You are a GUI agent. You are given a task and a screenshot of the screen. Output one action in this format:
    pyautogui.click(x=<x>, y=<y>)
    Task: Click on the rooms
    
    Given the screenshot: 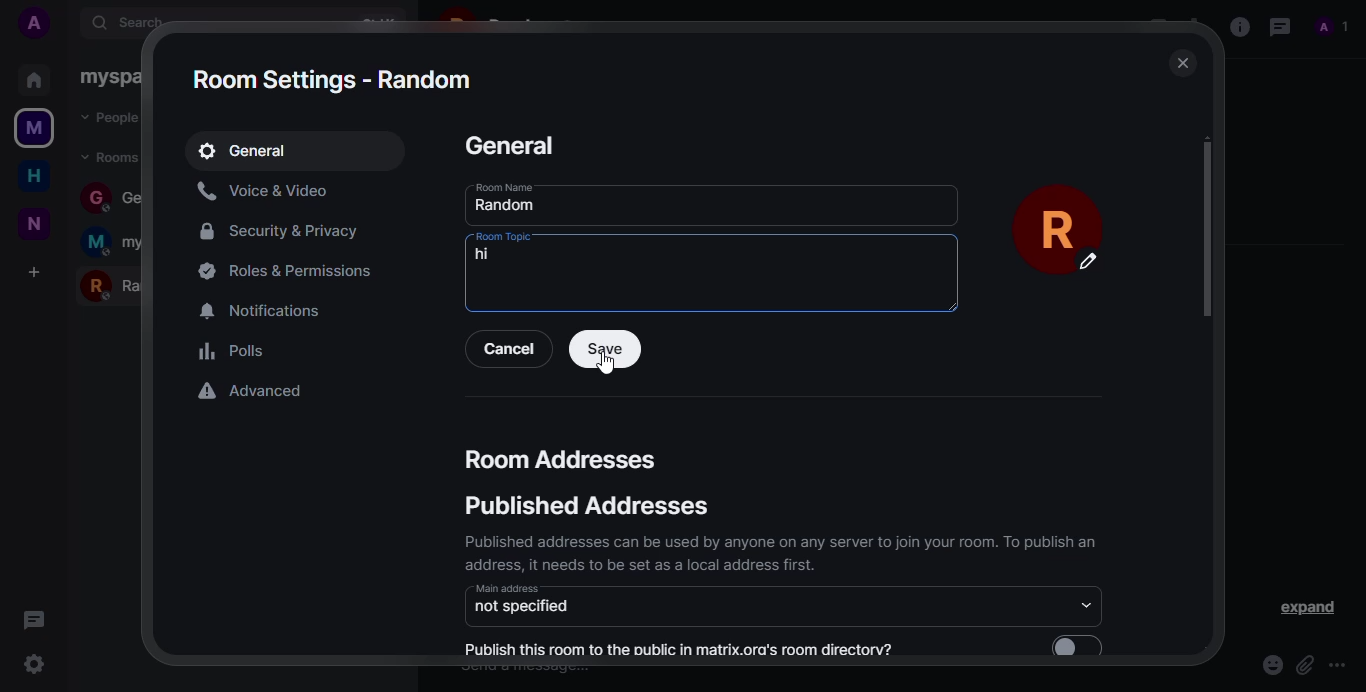 What is the action you would take?
    pyautogui.click(x=113, y=156)
    